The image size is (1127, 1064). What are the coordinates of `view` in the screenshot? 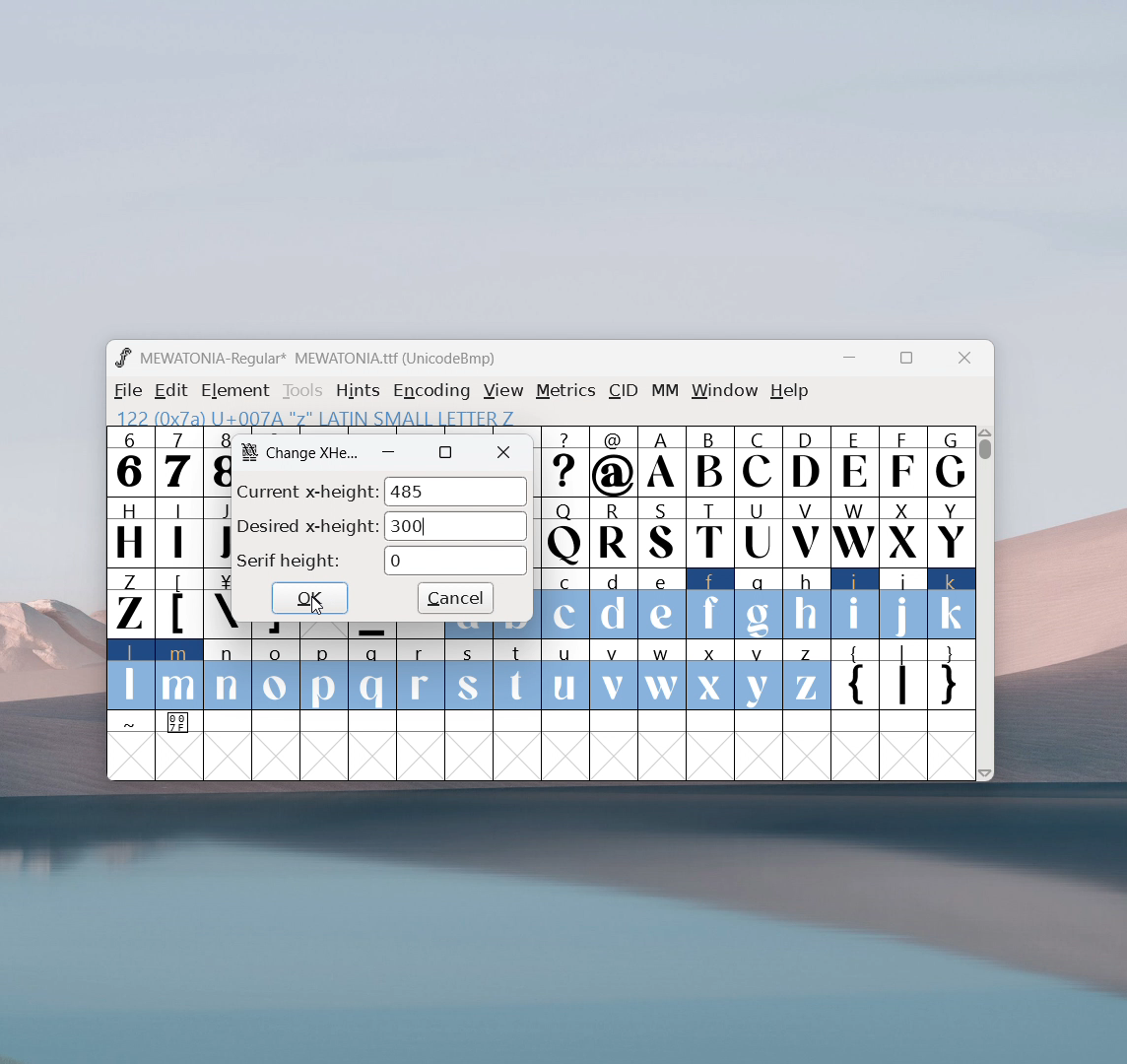 It's located at (503, 391).